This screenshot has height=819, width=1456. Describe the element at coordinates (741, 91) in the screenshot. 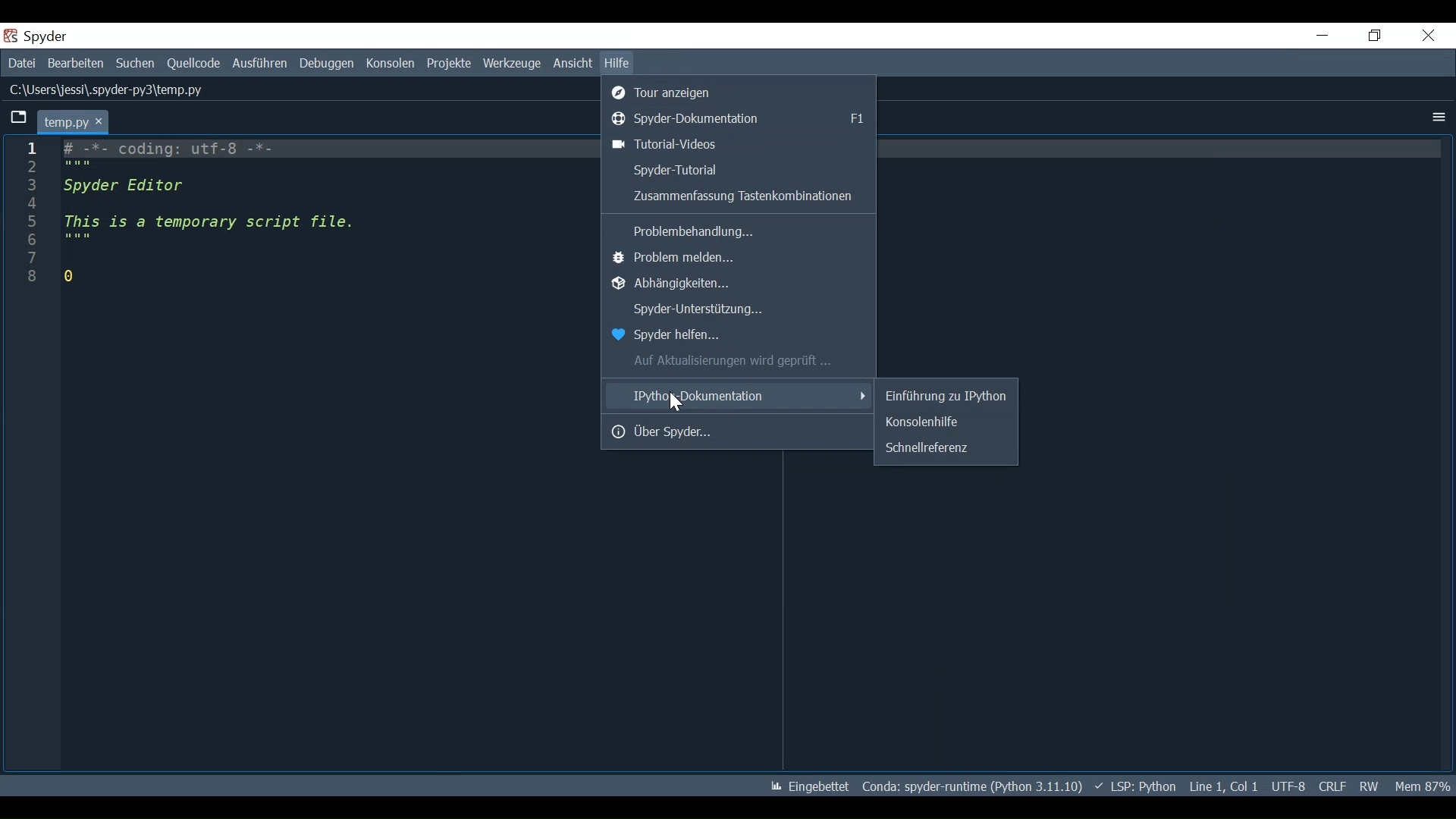

I see `Show Tour` at that location.